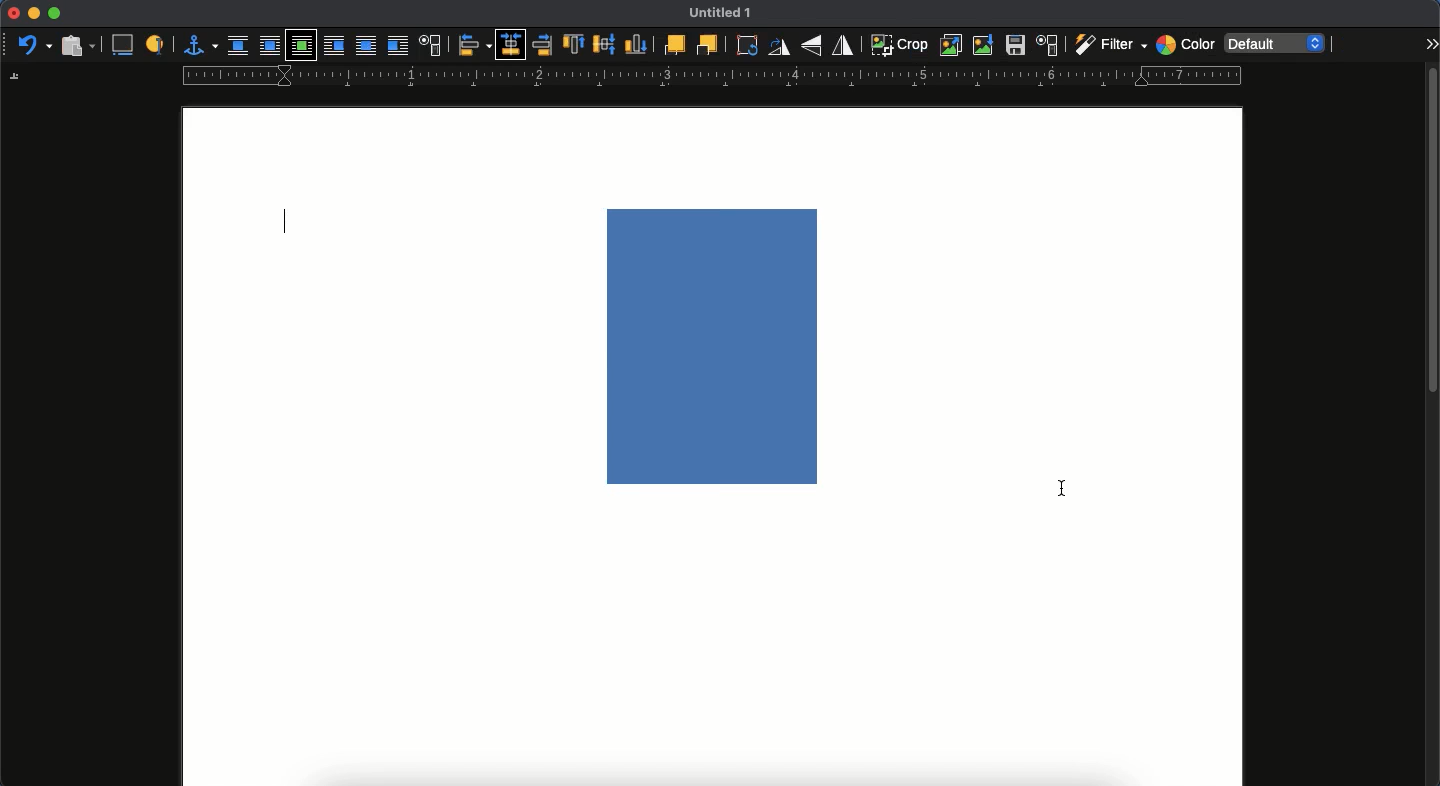 The width and height of the screenshot is (1440, 786). What do you see at coordinates (1065, 487) in the screenshot?
I see `cursor` at bounding box center [1065, 487].